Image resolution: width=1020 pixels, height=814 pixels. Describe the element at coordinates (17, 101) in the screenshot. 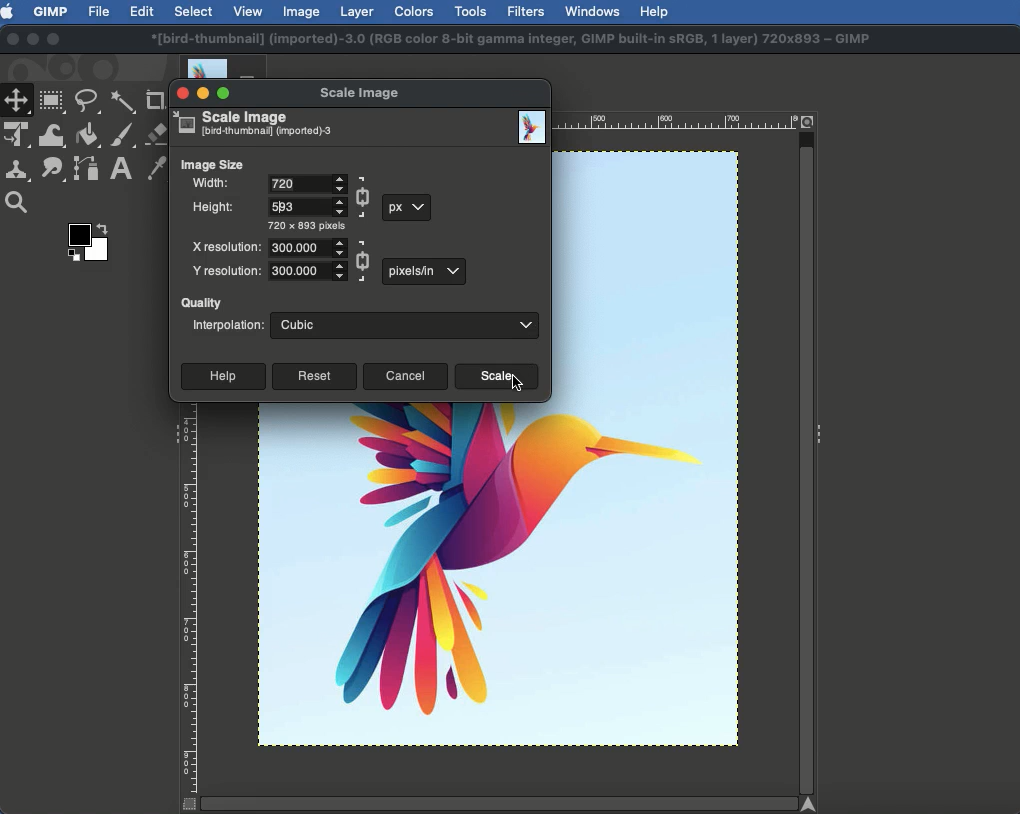

I see `Move tool` at that location.